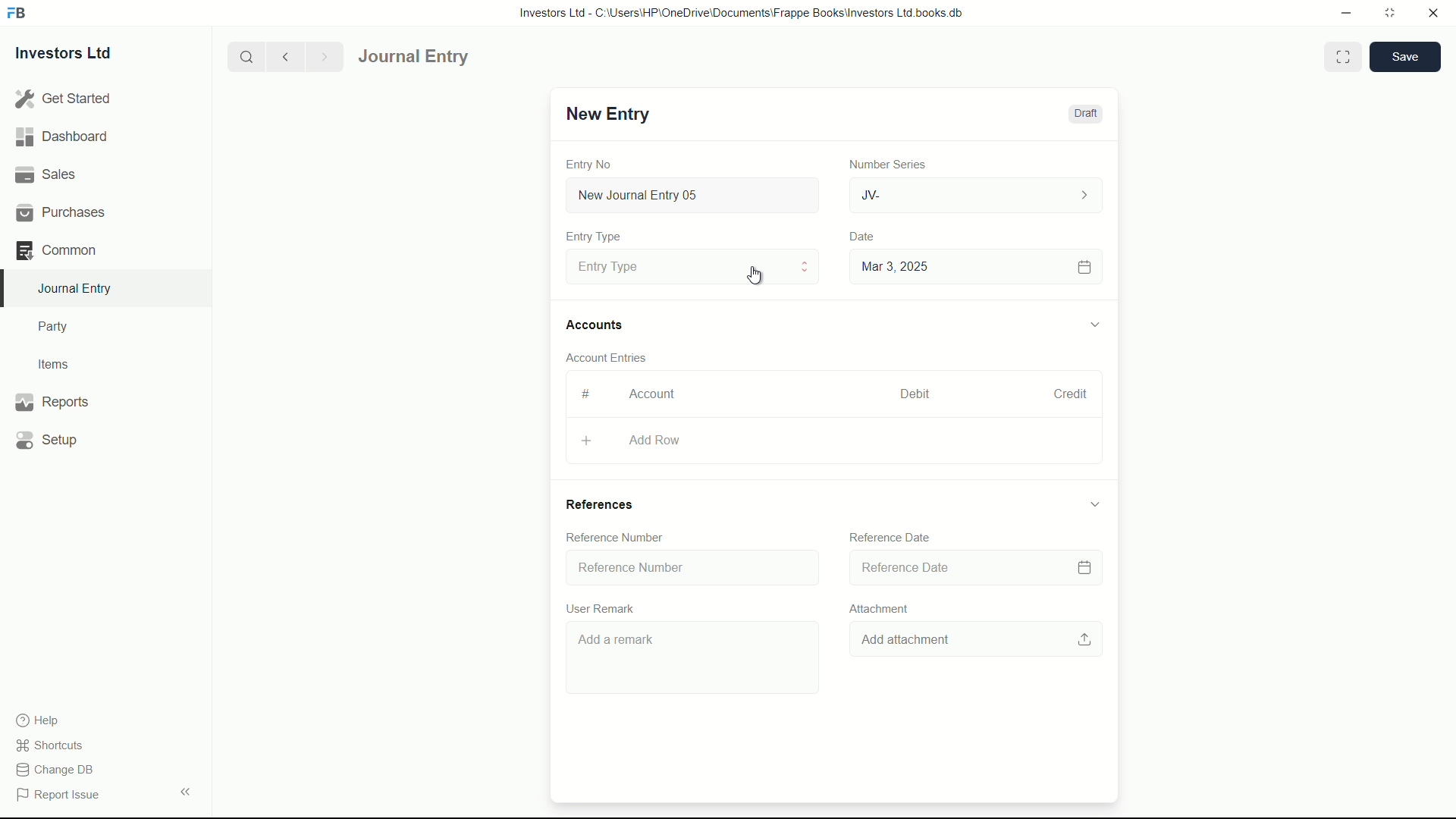 This screenshot has width=1456, height=819. What do you see at coordinates (598, 325) in the screenshot?
I see `Accounts` at bounding box center [598, 325].